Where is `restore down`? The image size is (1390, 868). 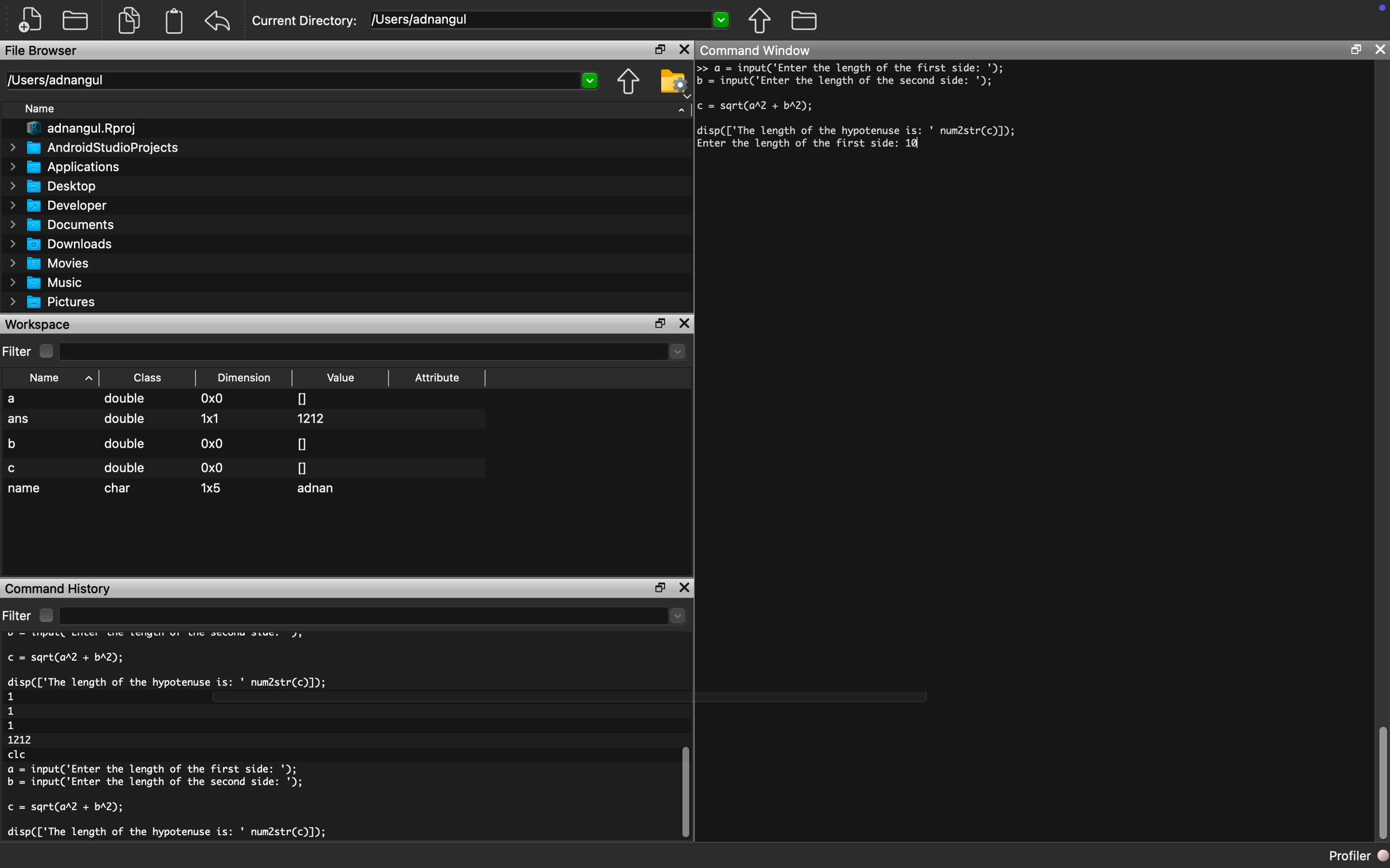 restore down is located at coordinates (662, 324).